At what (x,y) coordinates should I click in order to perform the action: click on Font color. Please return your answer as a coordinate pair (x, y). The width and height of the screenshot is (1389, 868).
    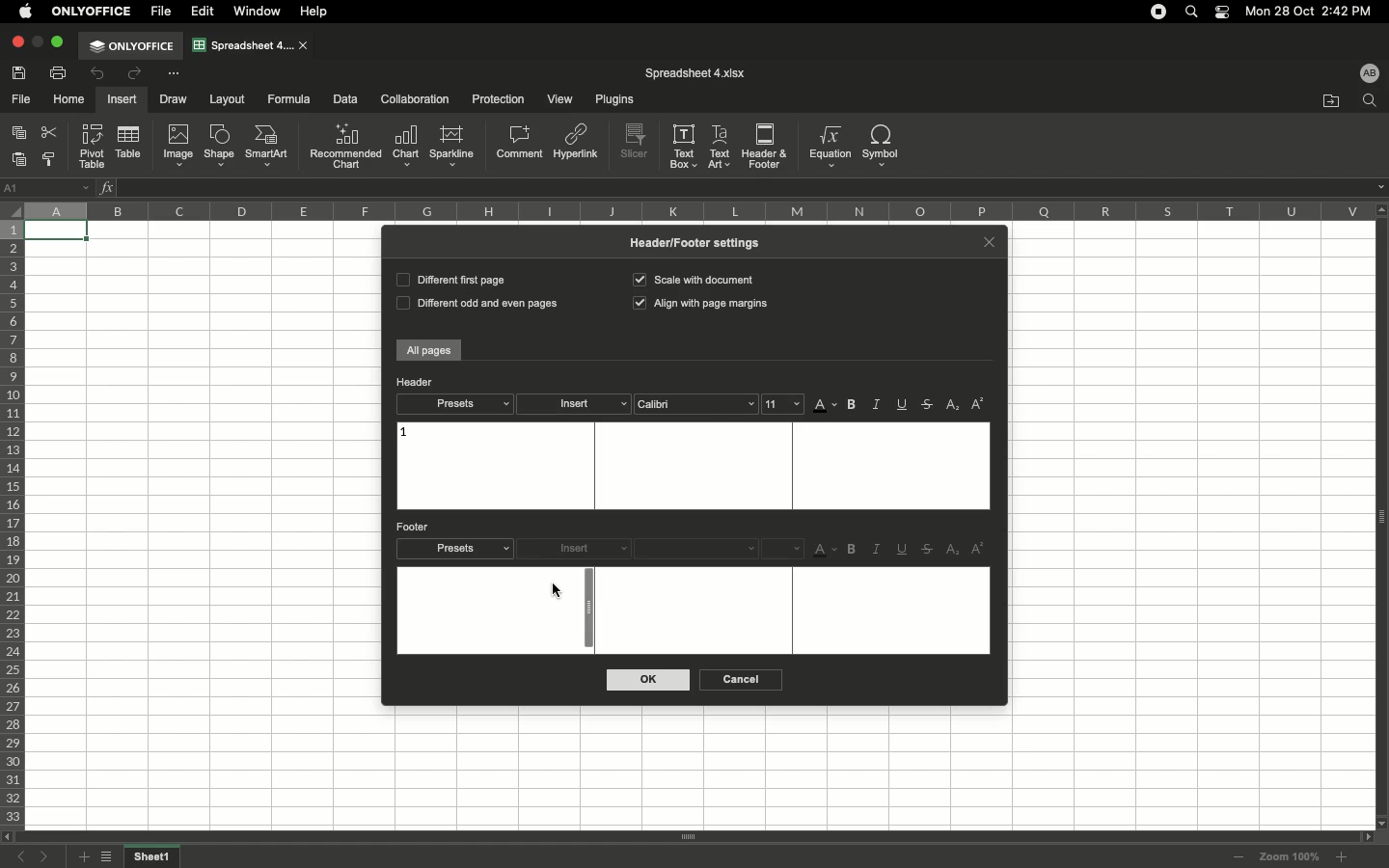
    Looking at the image, I should click on (826, 552).